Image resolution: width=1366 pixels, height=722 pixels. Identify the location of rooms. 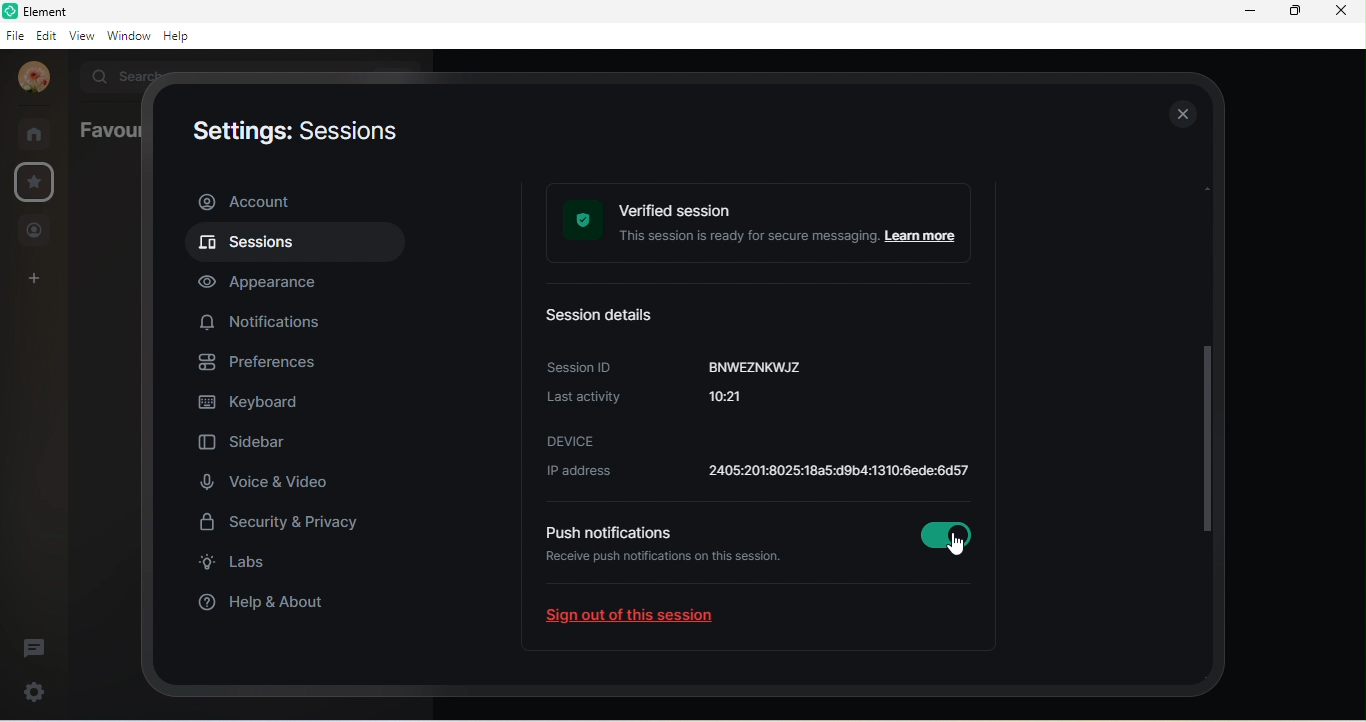
(39, 133).